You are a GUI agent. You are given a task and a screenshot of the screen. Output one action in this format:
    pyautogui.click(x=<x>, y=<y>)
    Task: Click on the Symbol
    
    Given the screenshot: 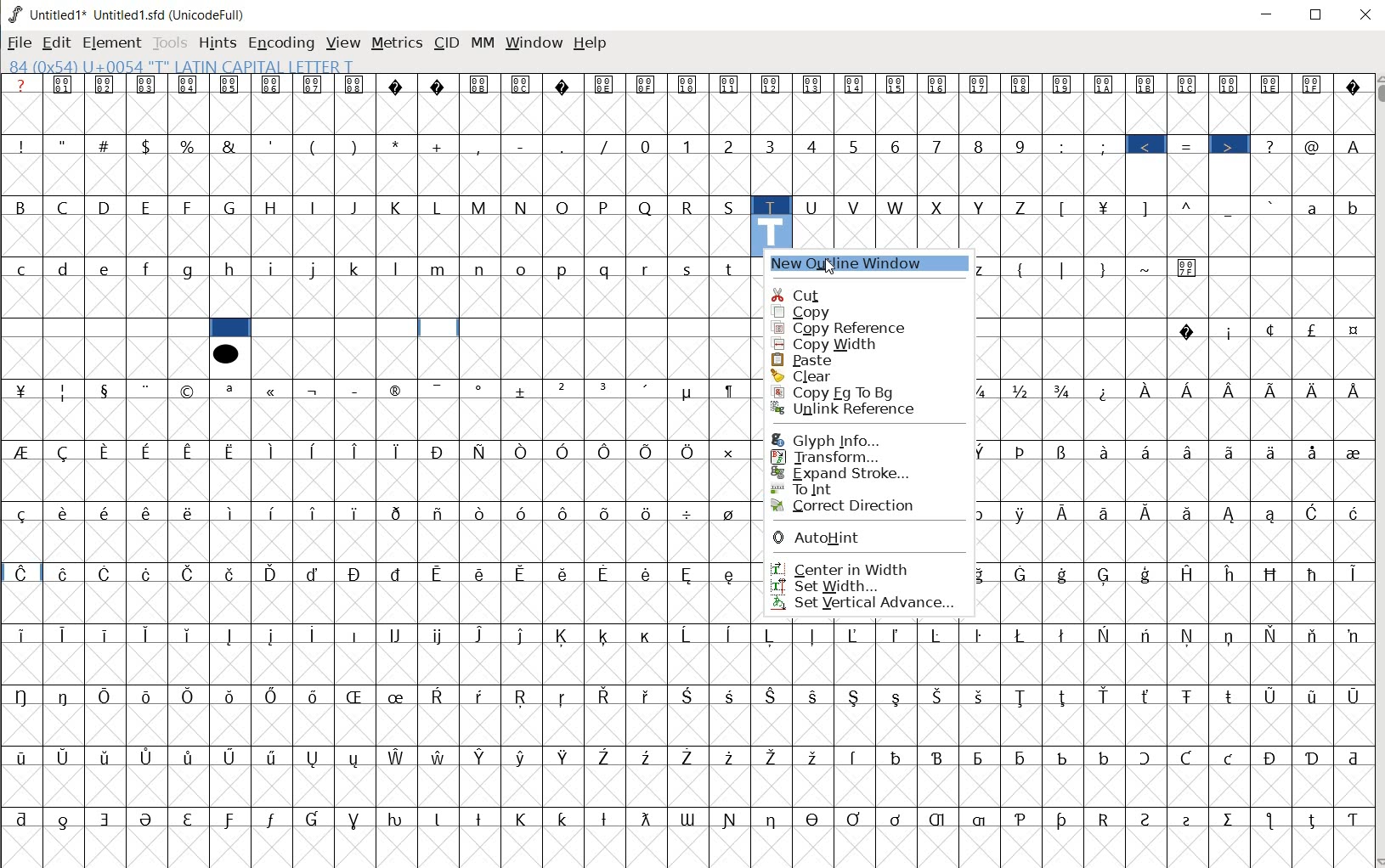 What is the action you would take?
    pyautogui.click(x=148, y=85)
    